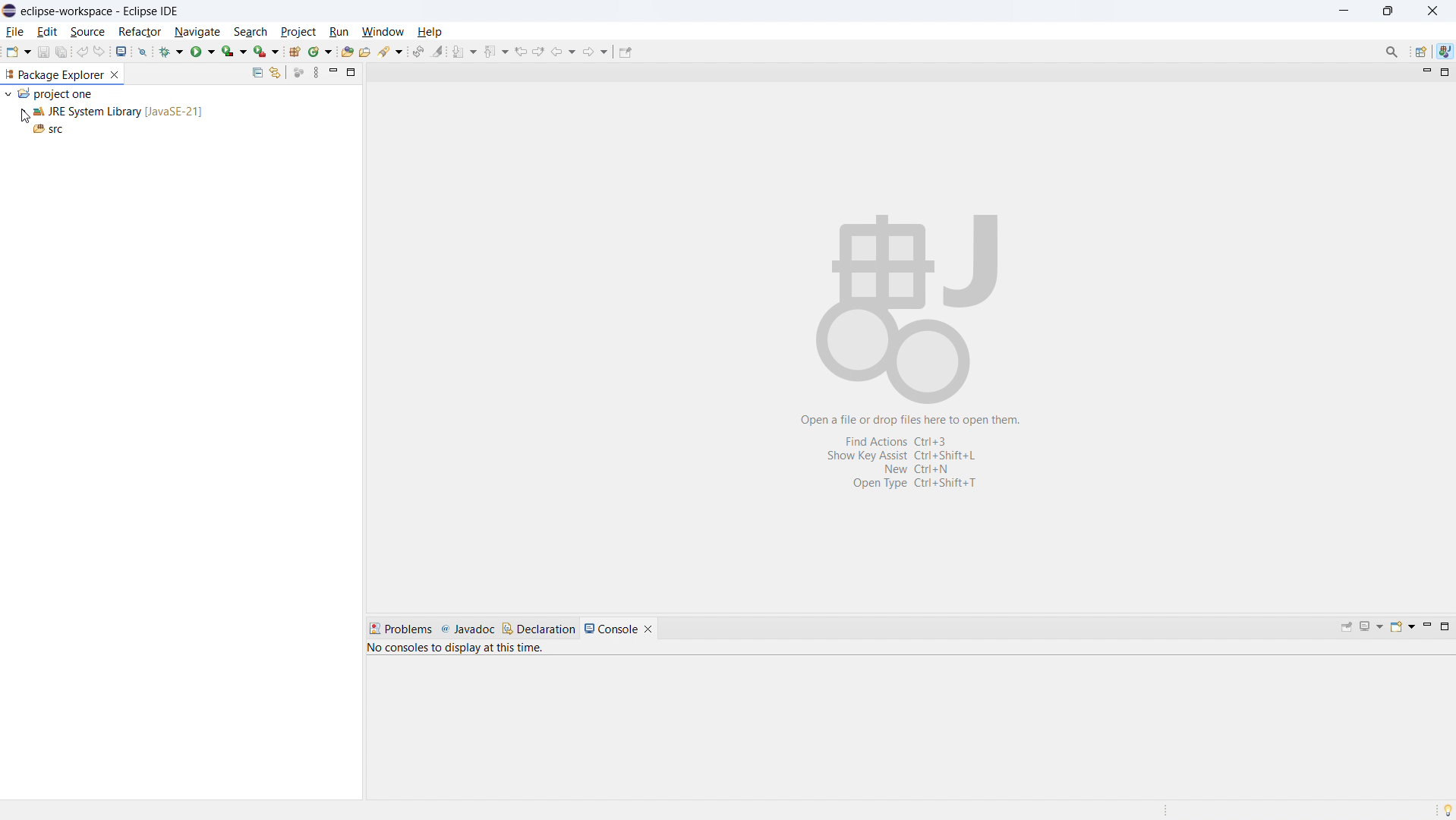  Describe the element at coordinates (539, 629) in the screenshot. I see `declaration` at that location.